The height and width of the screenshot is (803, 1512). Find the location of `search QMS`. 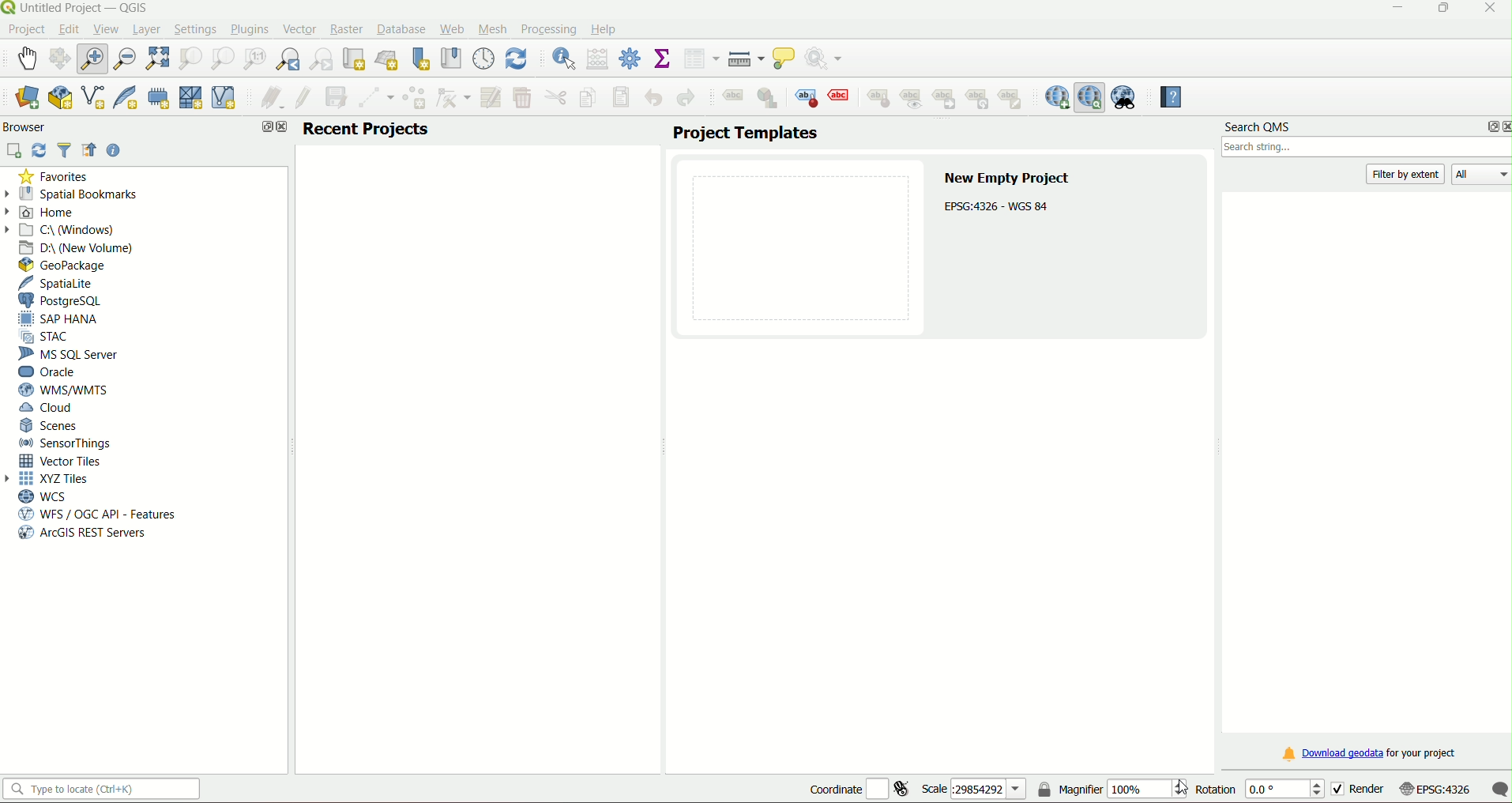

search QMS is located at coordinates (1258, 128).